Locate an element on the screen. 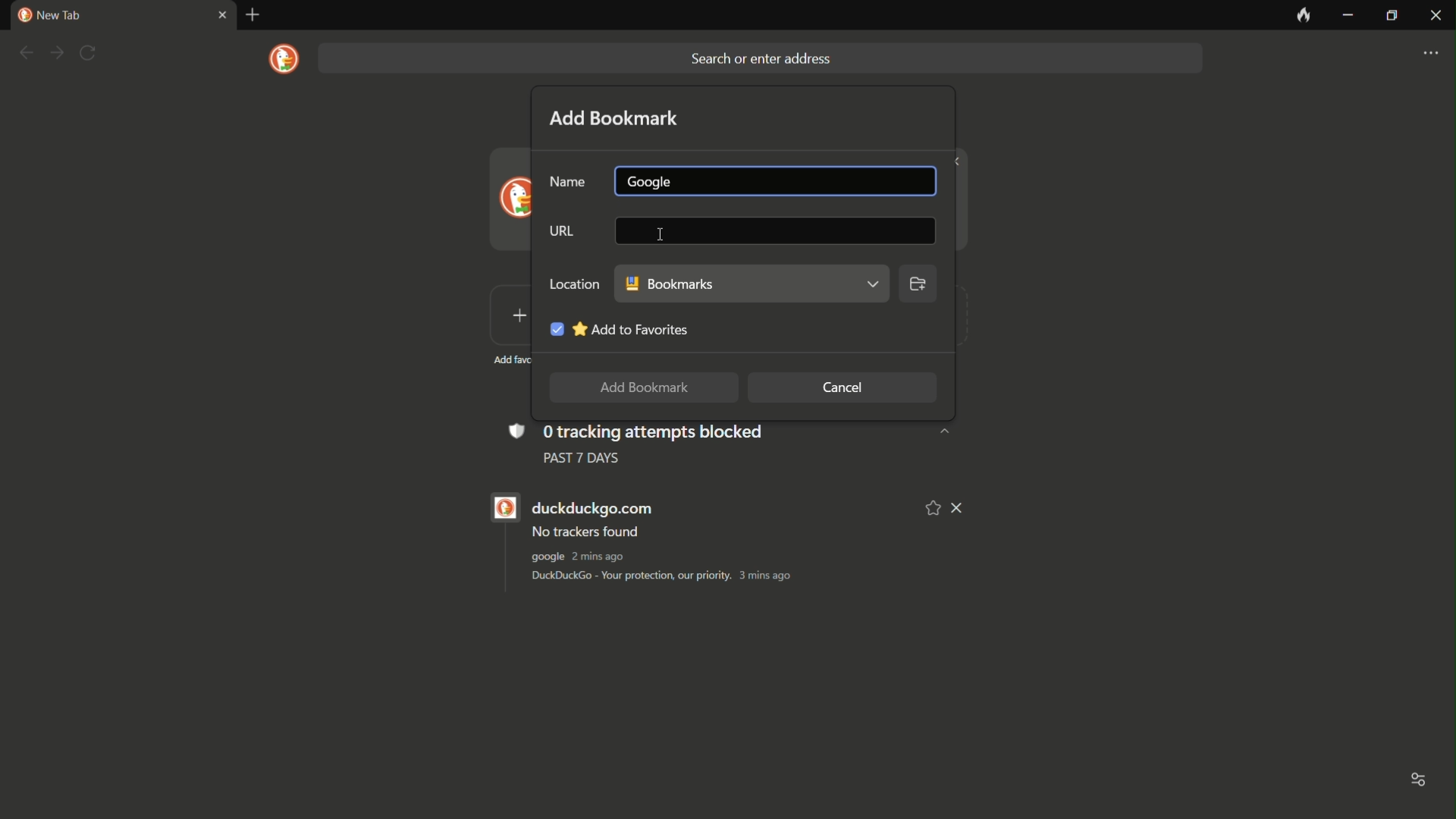 The width and height of the screenshot is (1456, 819). settings is located at coordinates (1430, 54).